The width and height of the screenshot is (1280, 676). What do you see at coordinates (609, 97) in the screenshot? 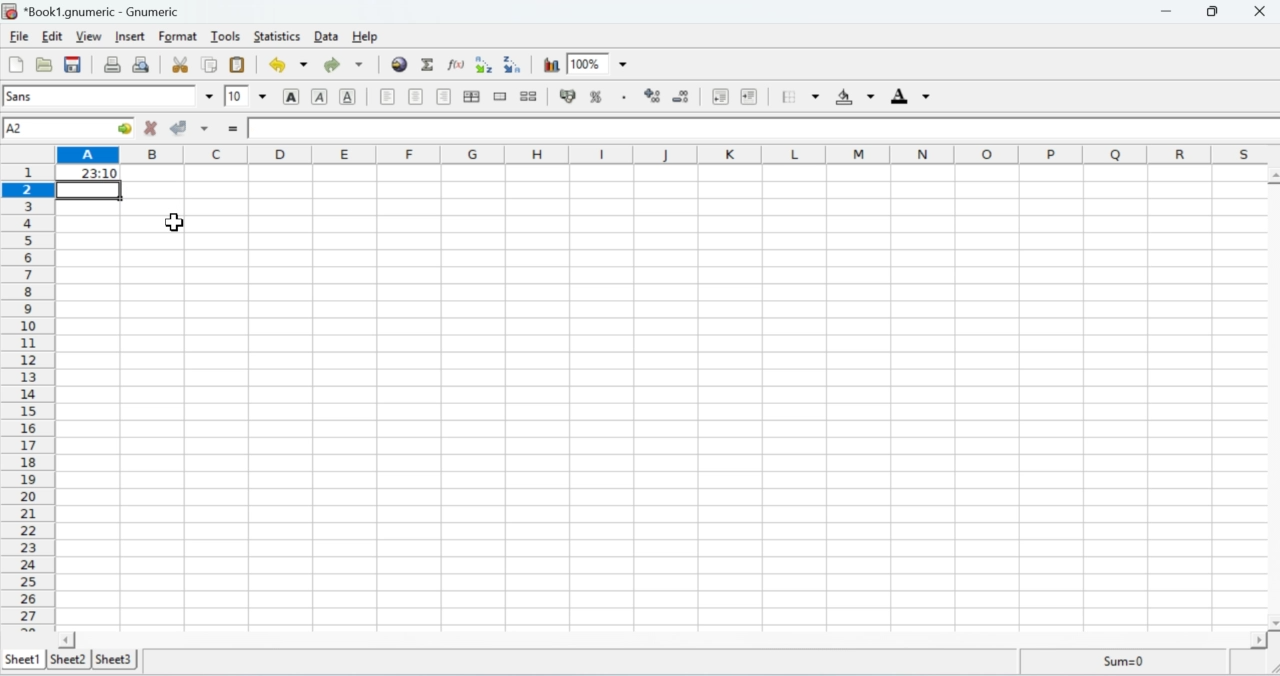
I see `Format the selection as percentage` at bounding box center [609, 97].